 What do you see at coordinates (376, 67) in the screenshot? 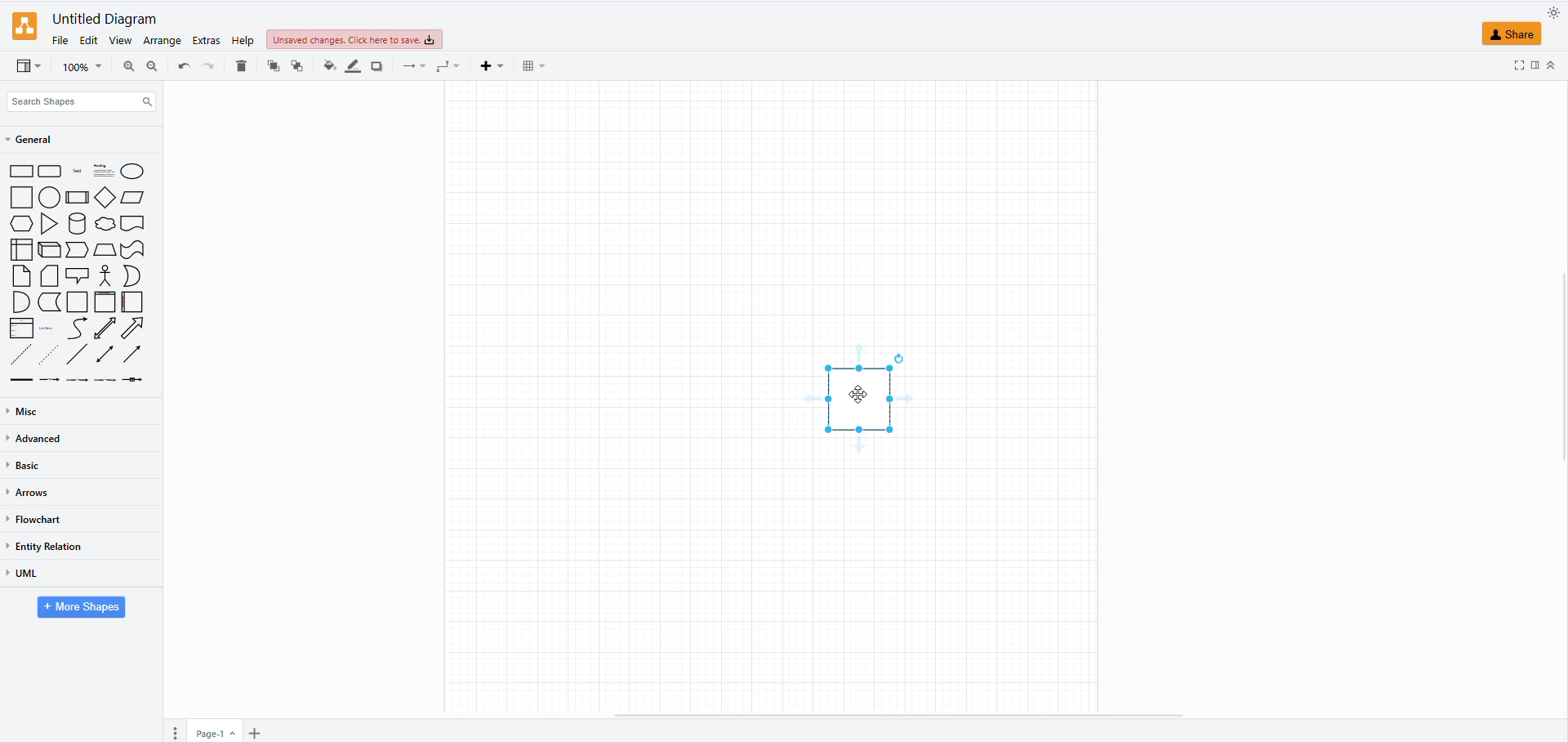
I see `shadow` at bounding box center [376, 67].